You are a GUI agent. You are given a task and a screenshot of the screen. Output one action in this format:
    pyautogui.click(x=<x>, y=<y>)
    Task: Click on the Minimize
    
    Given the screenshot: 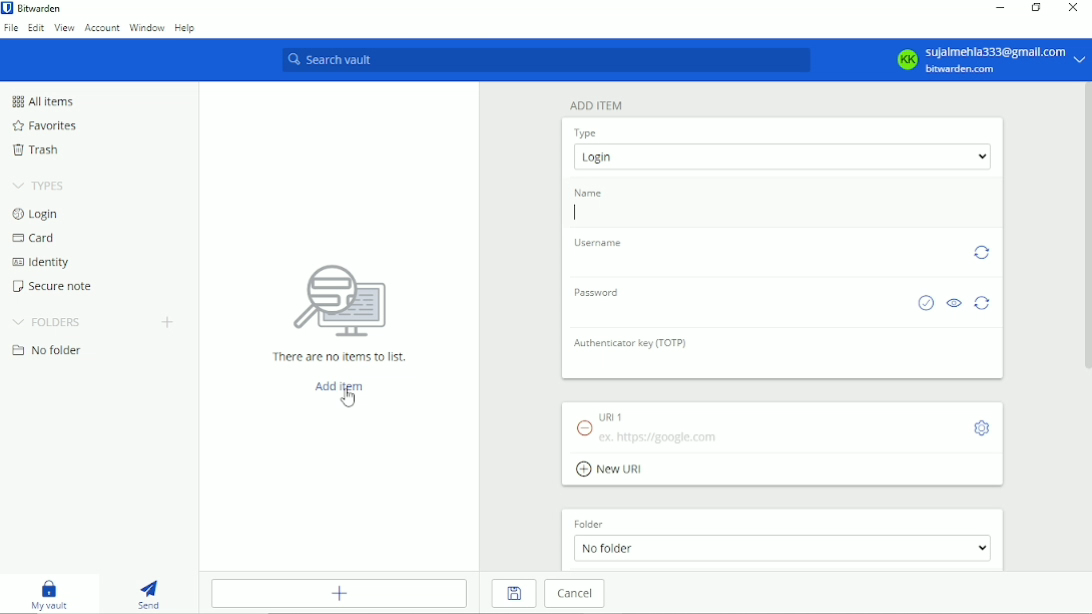 What is the action you would take?
    pyautogui.click(x=998, y=8)
    